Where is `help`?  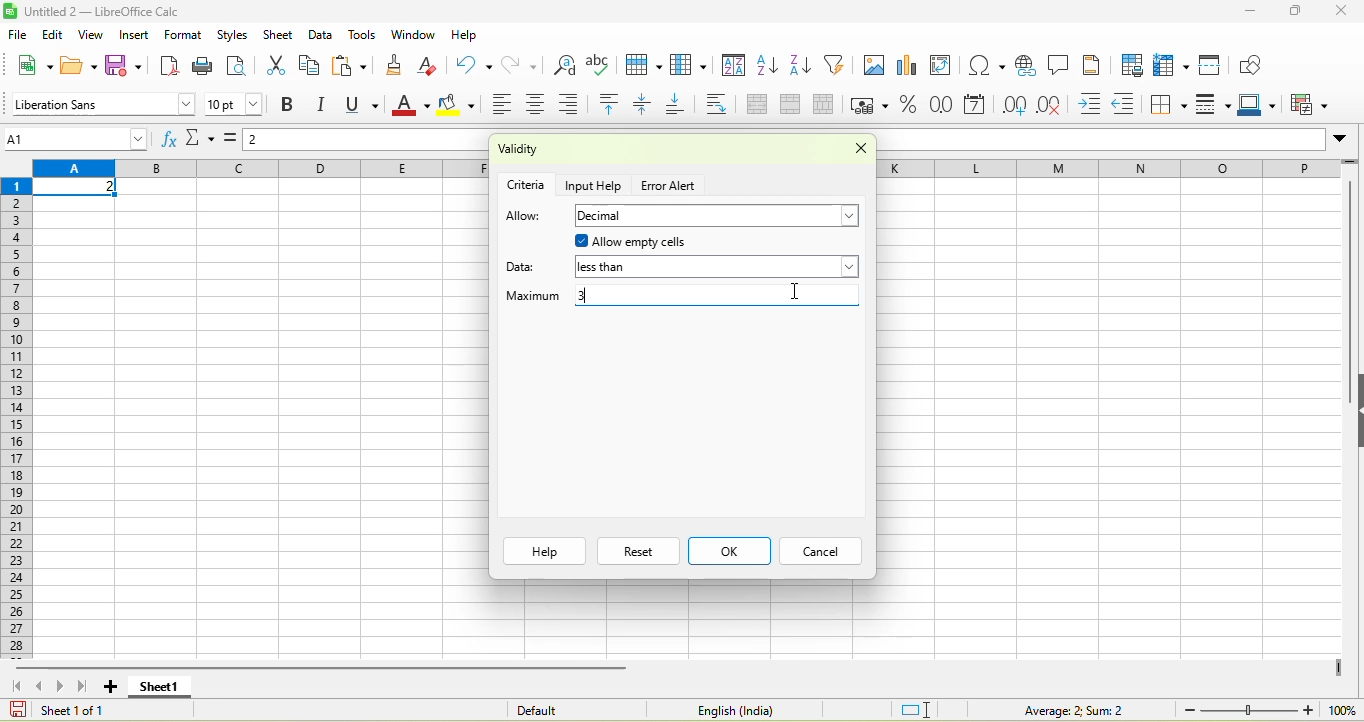 help is located at coordinates (464, 34).